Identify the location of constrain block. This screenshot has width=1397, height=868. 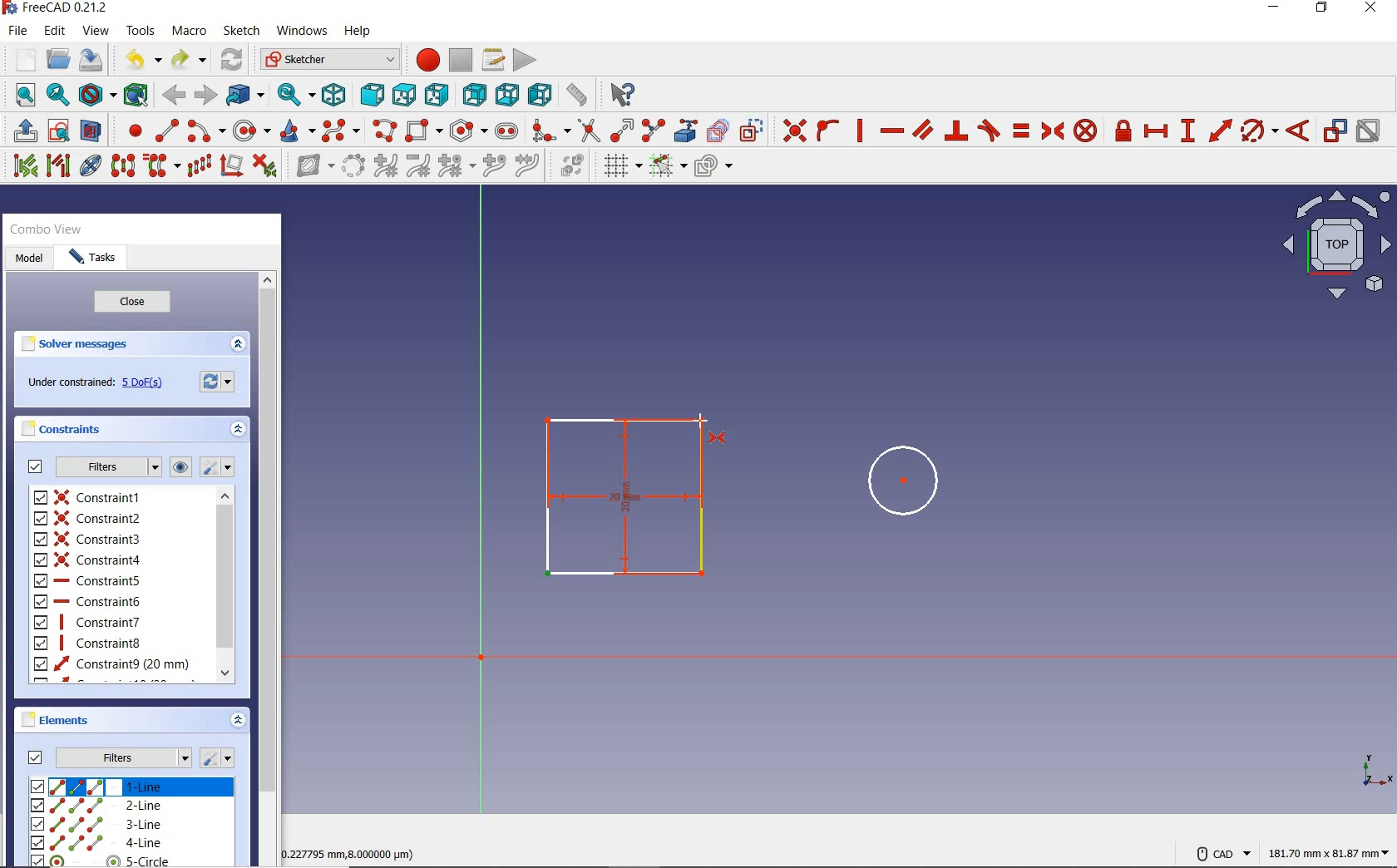
(1087, 132).